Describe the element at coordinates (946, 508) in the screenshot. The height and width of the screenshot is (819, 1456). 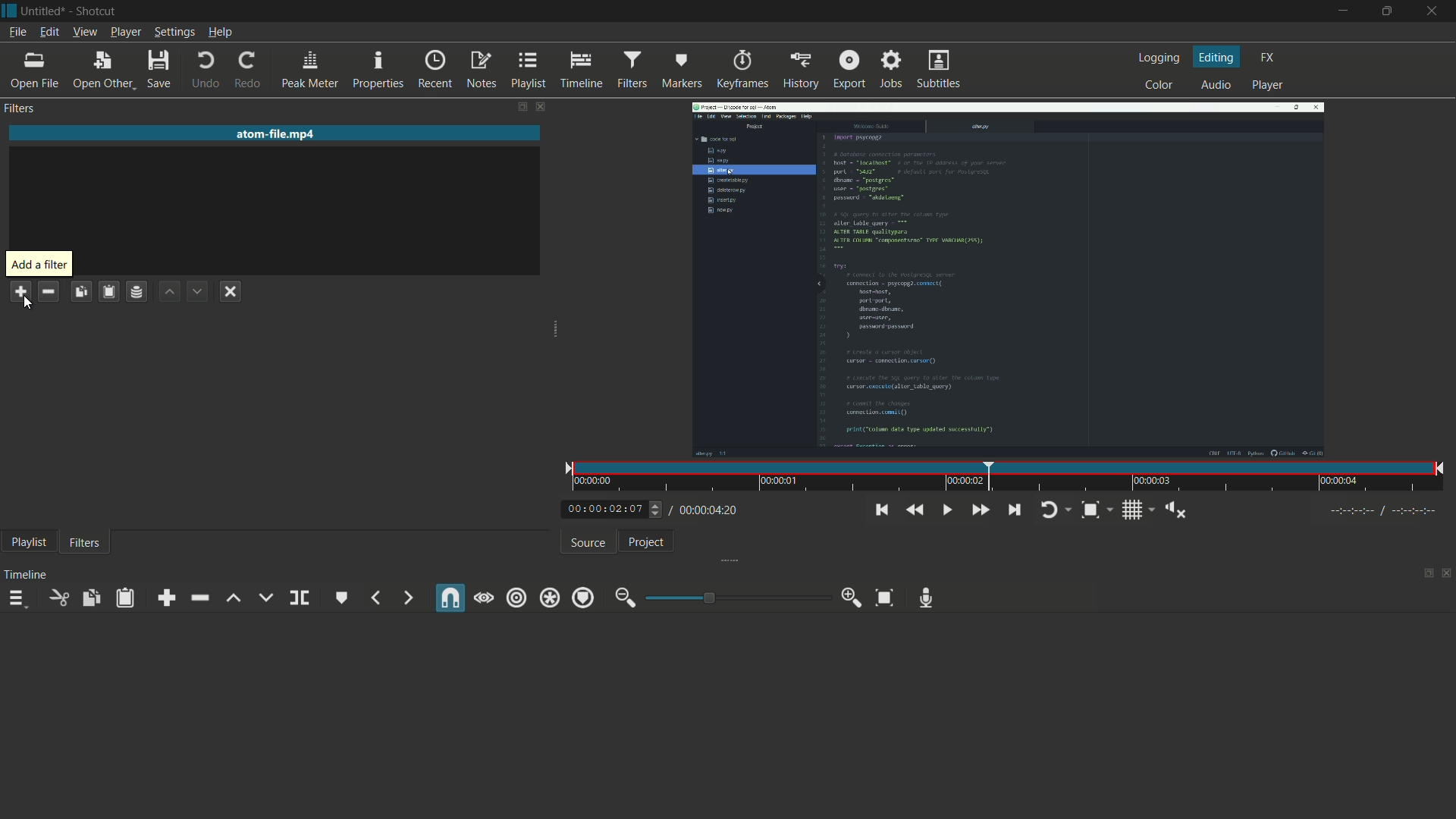
I see `toggle play or pause` at that location.